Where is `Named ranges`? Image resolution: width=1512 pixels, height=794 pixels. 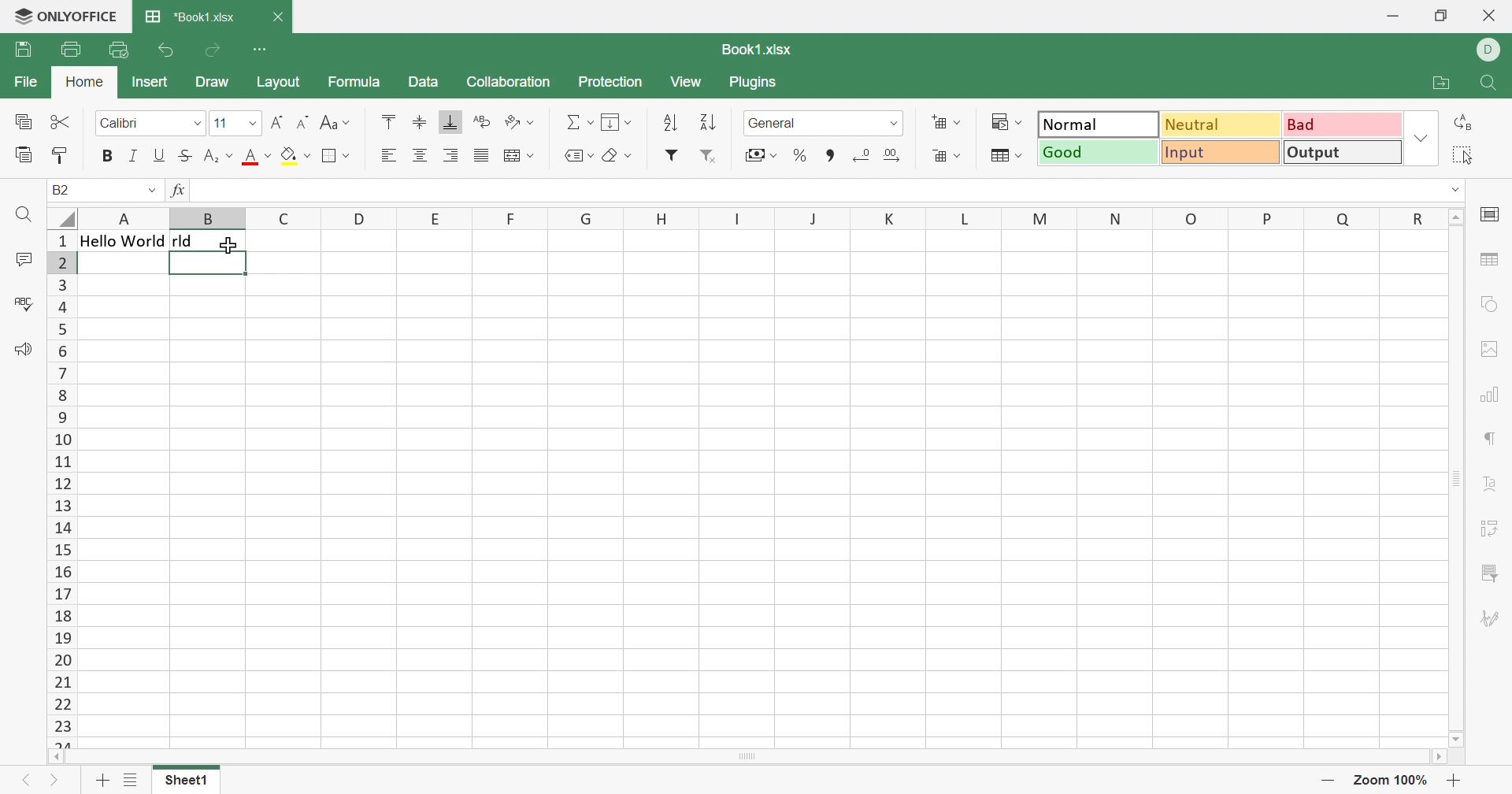
Named ranges is located at coordinates (580, 158).